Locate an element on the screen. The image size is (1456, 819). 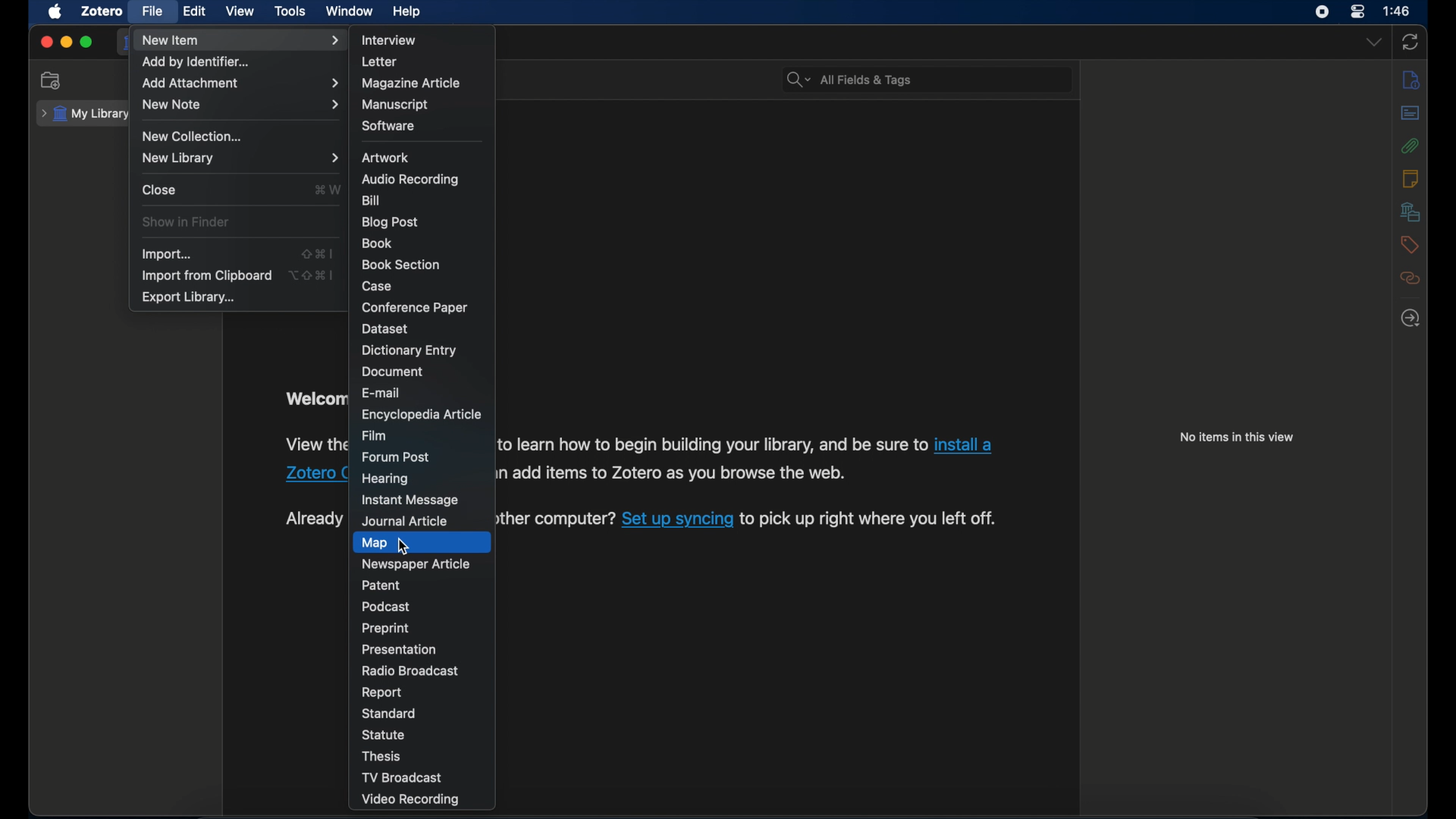
conference paper is located at coordinates (414, 309).